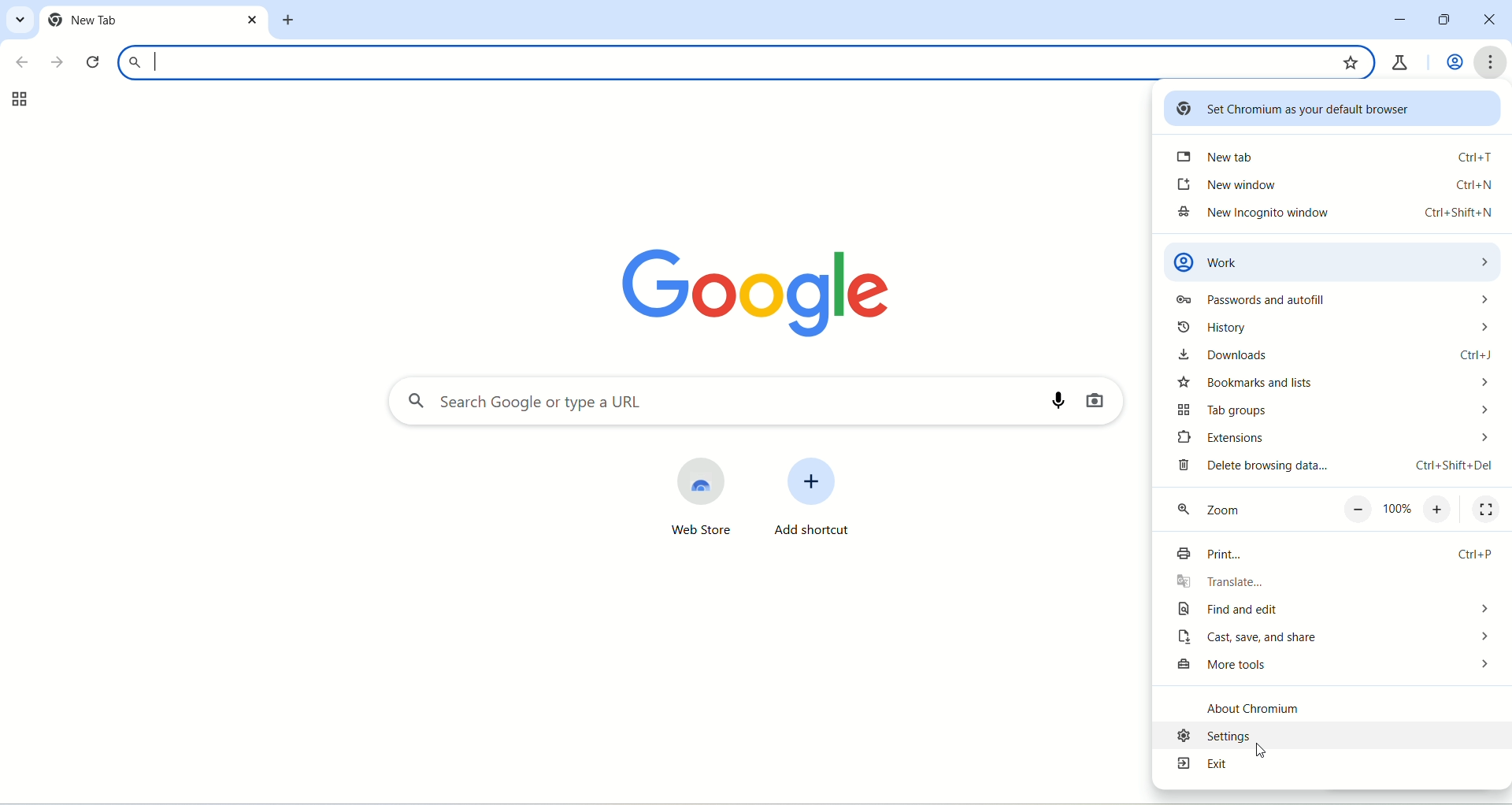 Image resolution: width=1512 pixels, height=805 pixels. Describe the element at coordinates (1331, 610) in the screenshot. I see `find and edit` at that location.